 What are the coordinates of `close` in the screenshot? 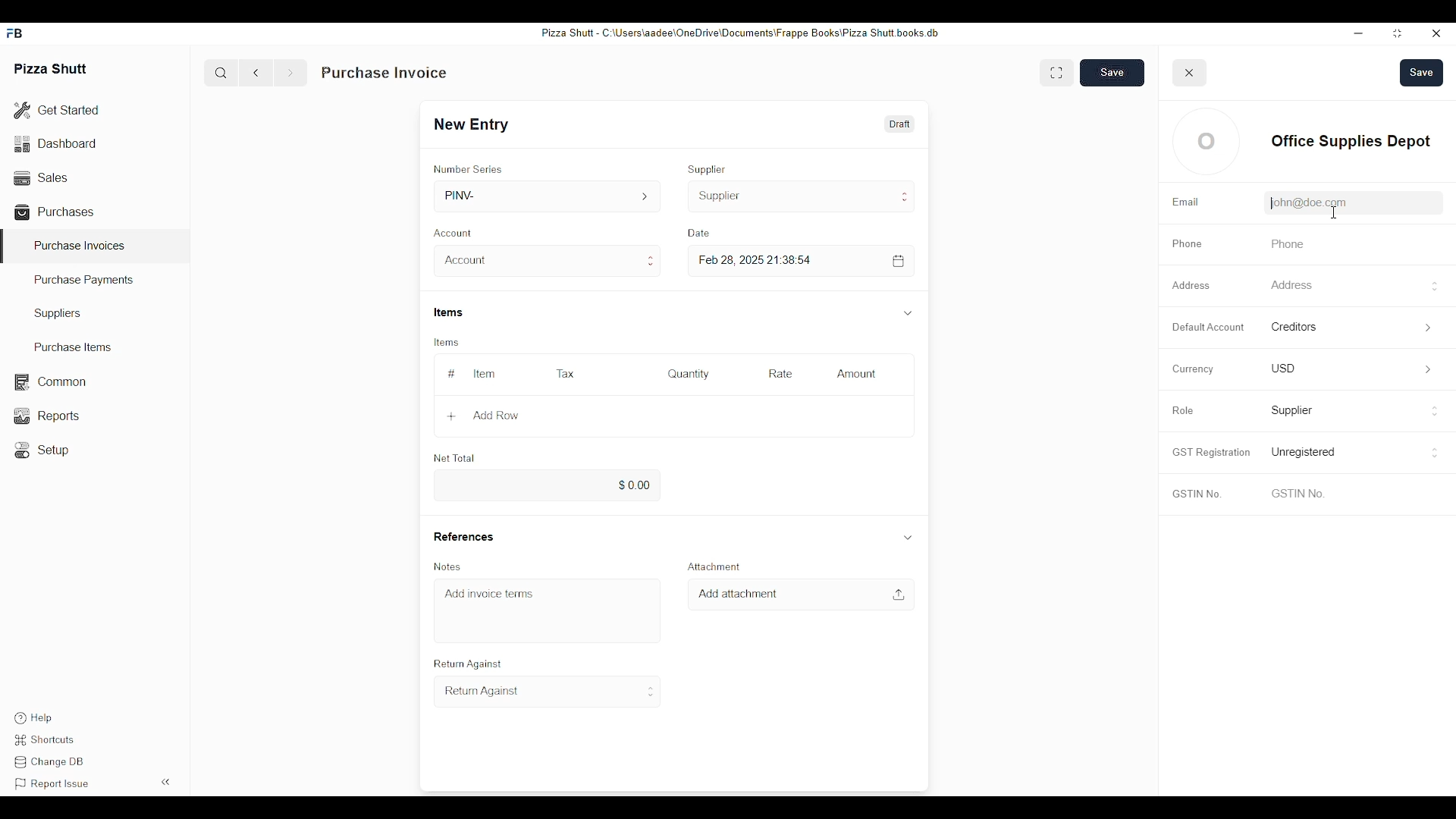 It's located at (1437, 34).